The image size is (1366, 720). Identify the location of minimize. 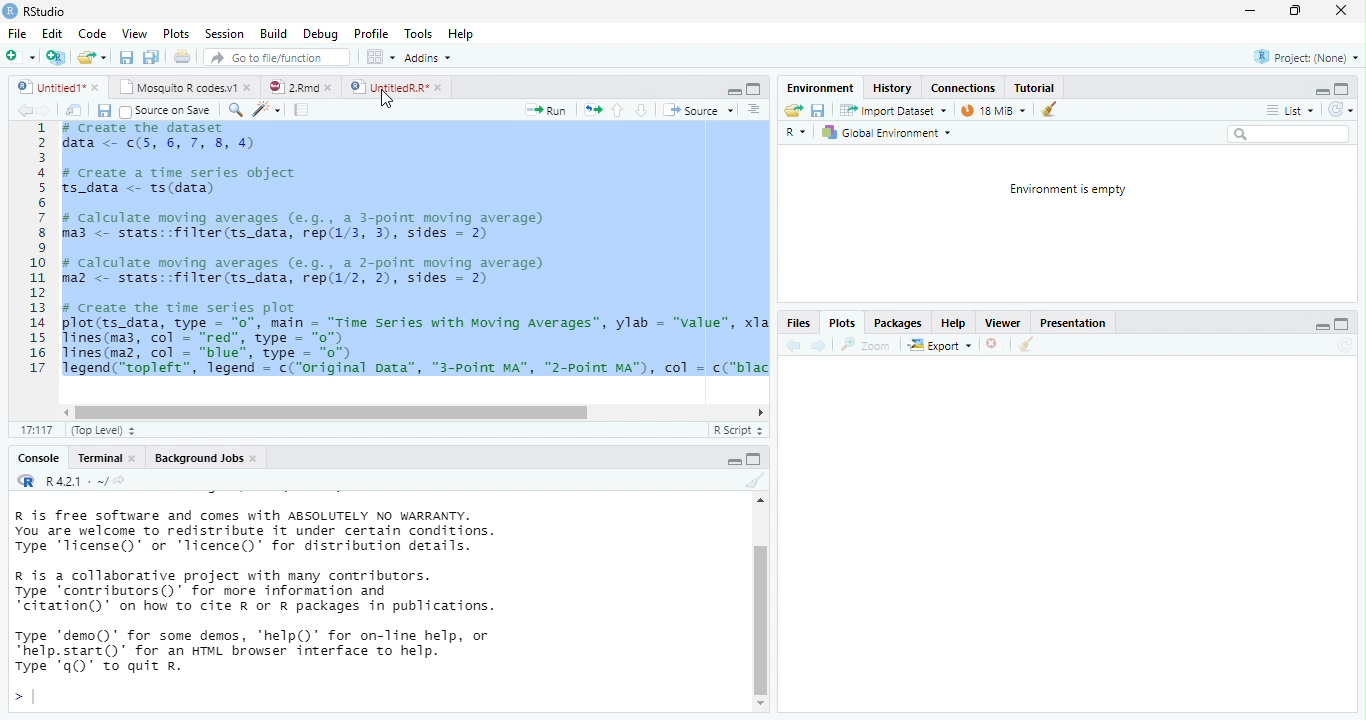
(1319, 93).